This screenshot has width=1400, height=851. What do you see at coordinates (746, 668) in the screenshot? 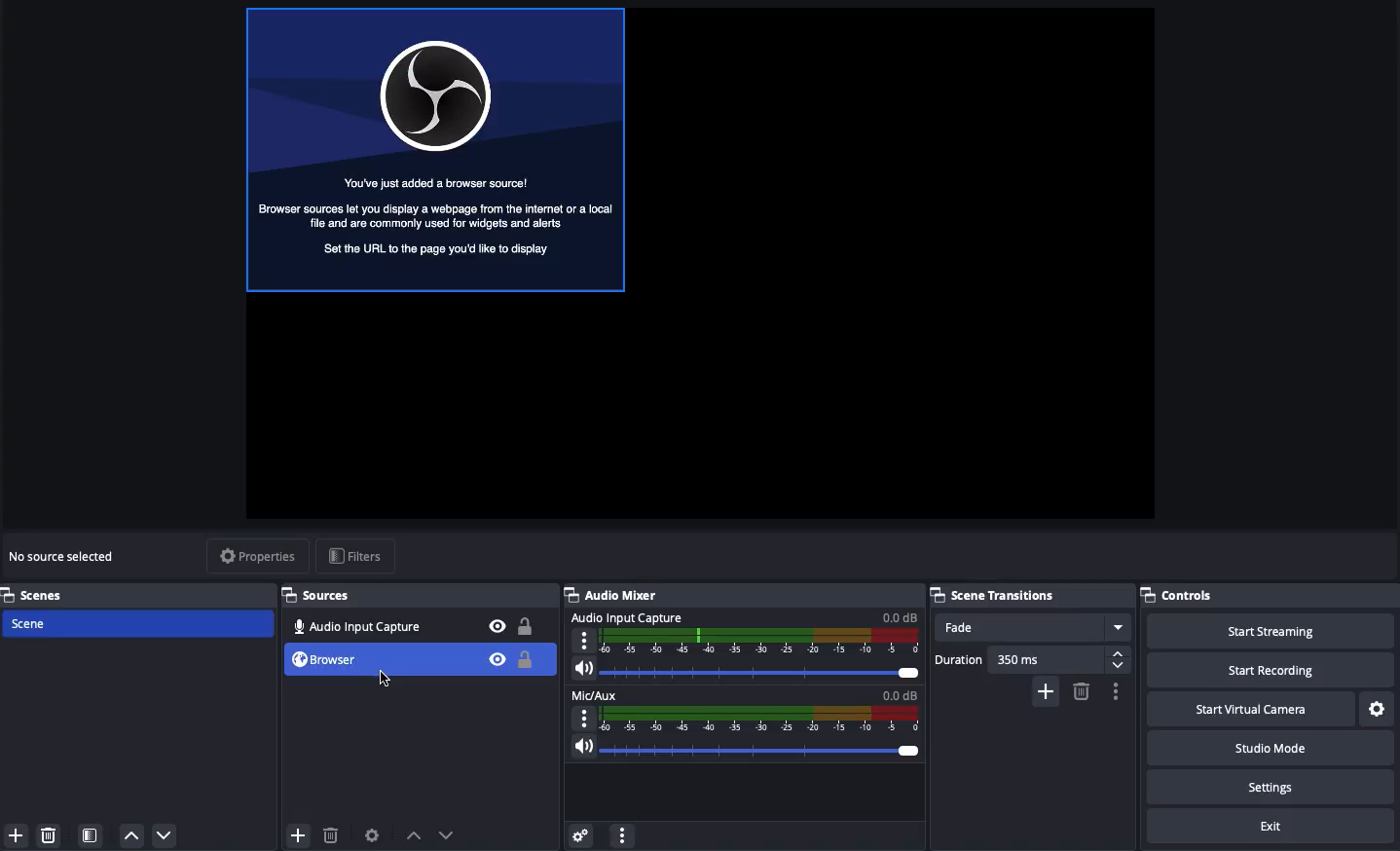
I see `Volume` at bounding box center [746, 668].